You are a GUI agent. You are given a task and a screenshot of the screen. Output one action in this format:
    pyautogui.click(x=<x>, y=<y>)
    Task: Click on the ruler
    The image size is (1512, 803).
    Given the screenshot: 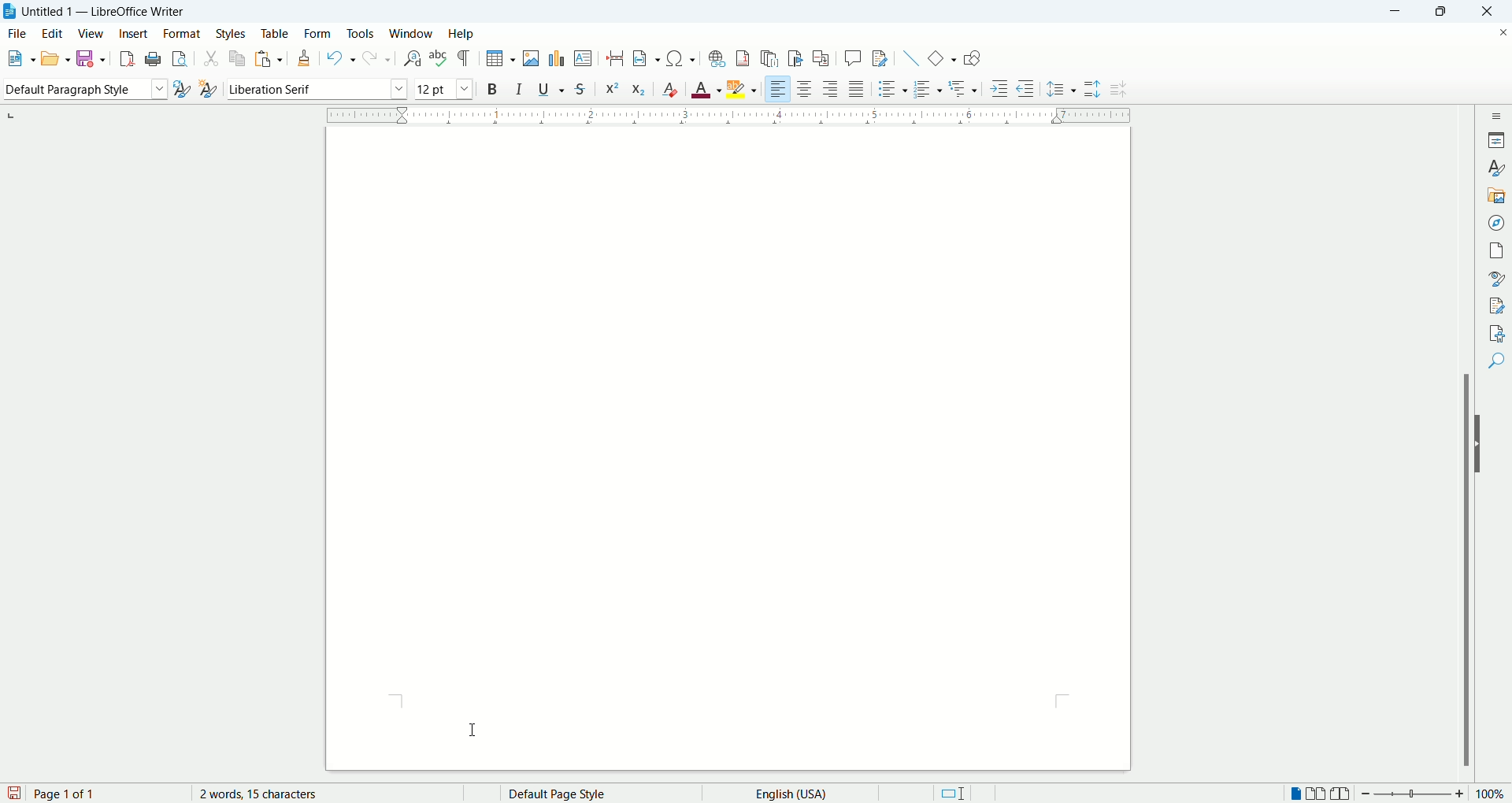 What is the action you would take?
    pyautogui.click(x=728, y=113)
    